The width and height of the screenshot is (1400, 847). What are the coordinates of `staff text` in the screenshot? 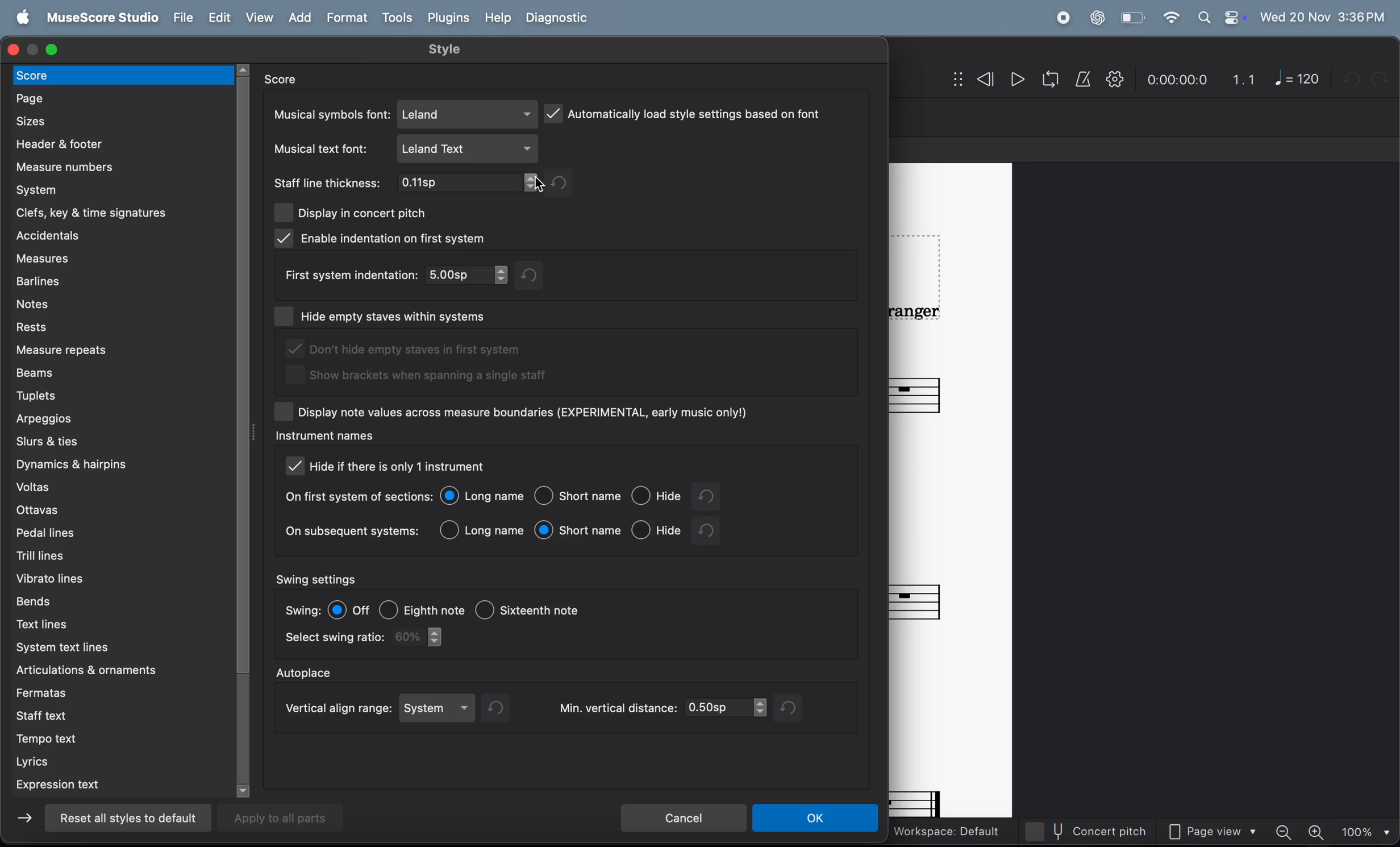 It's located at (113, 715).